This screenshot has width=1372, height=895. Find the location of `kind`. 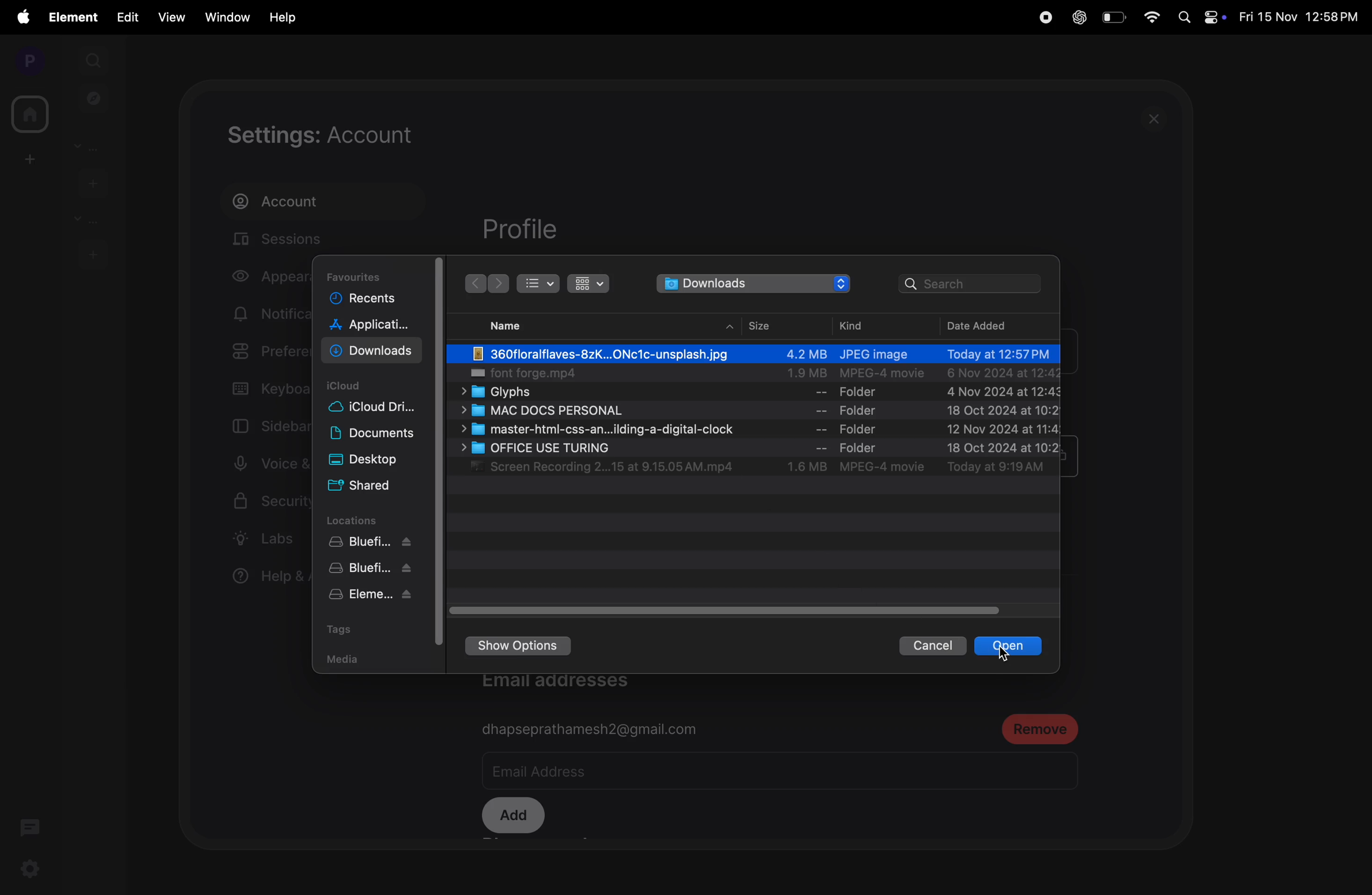

kind is located at coordinates (856, 324).